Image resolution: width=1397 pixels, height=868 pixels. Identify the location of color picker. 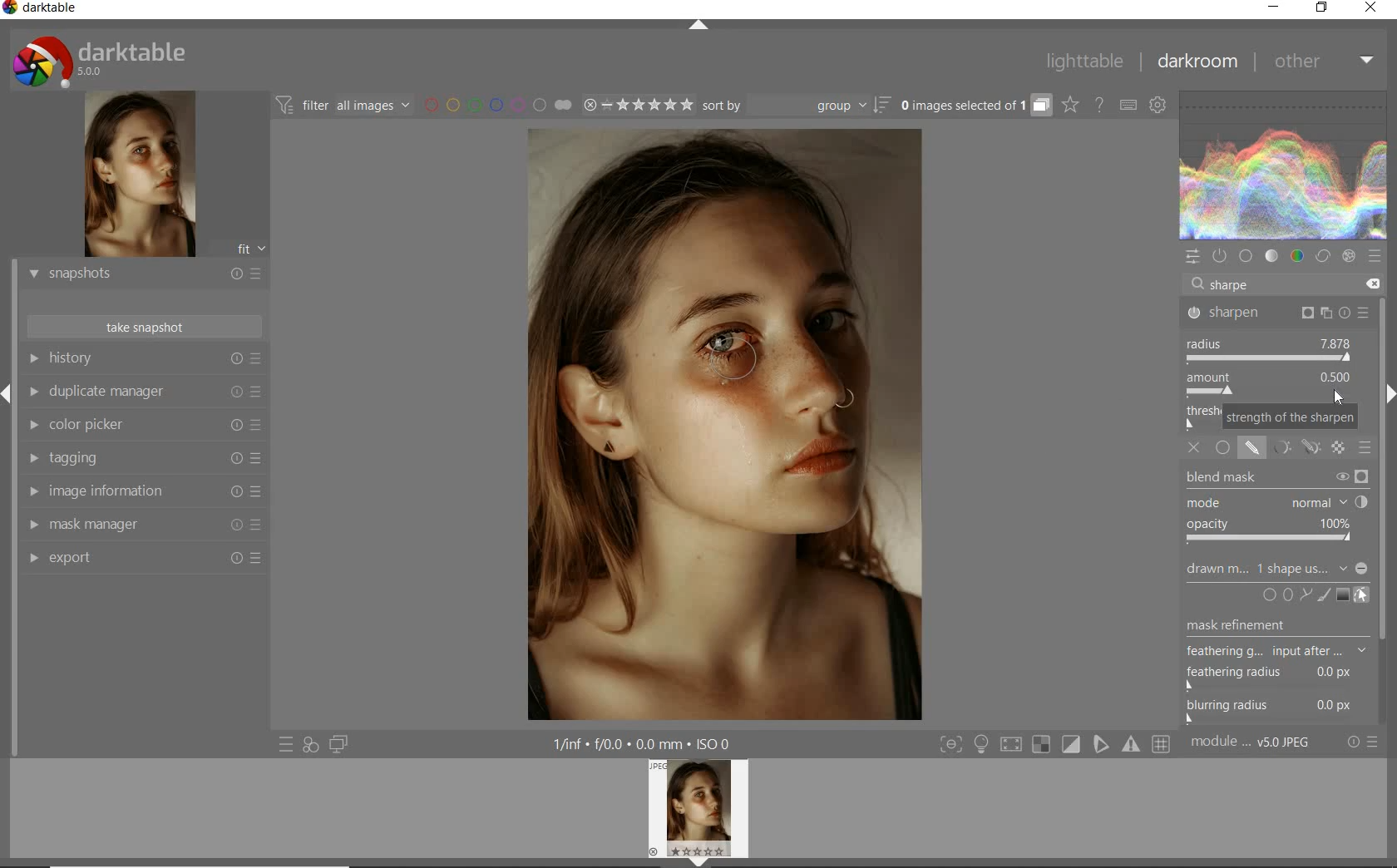
(144, 427).